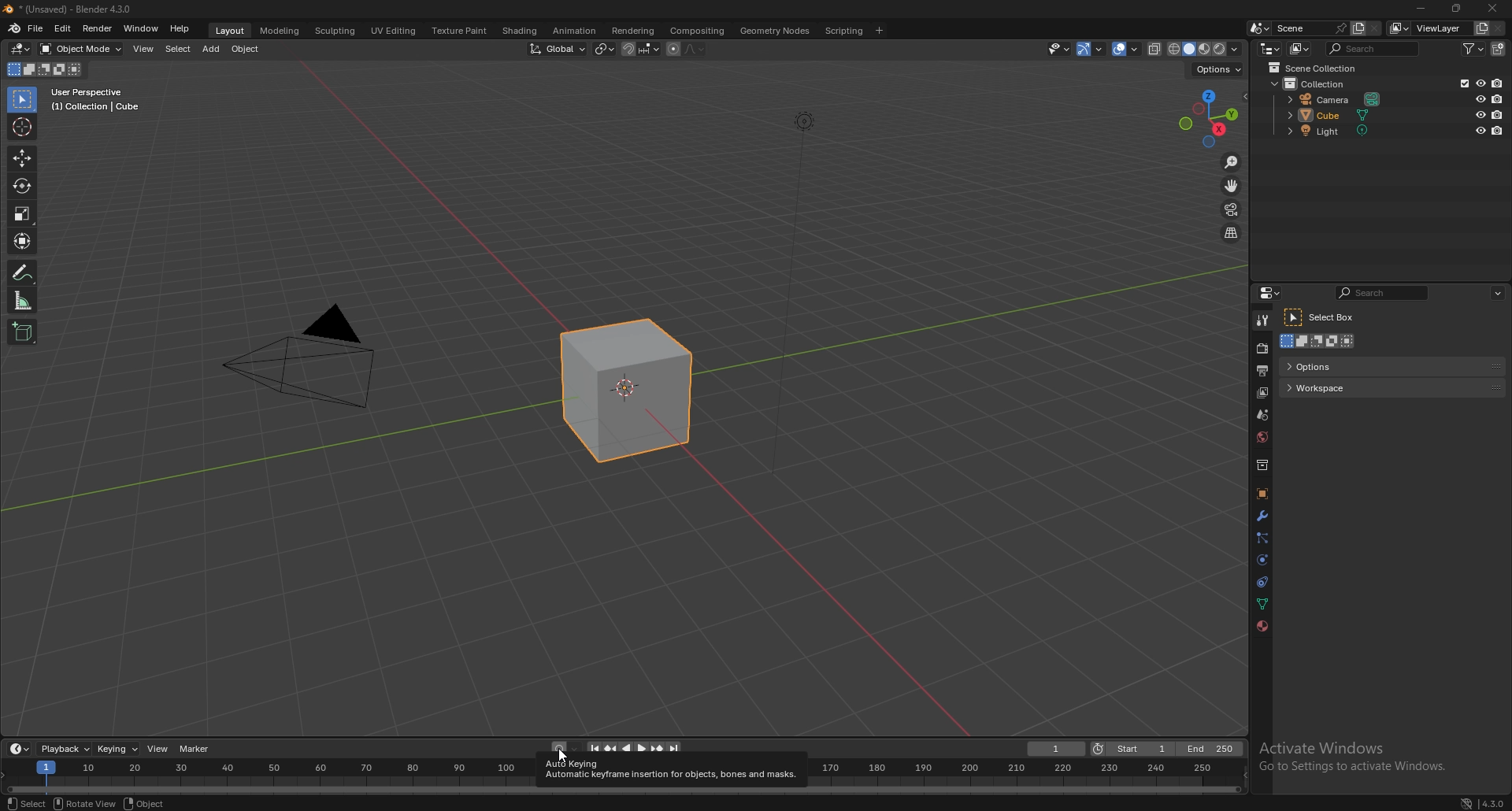 This screenshot has width=1512, height=811. I want to click on object mode, so click(81, 49).